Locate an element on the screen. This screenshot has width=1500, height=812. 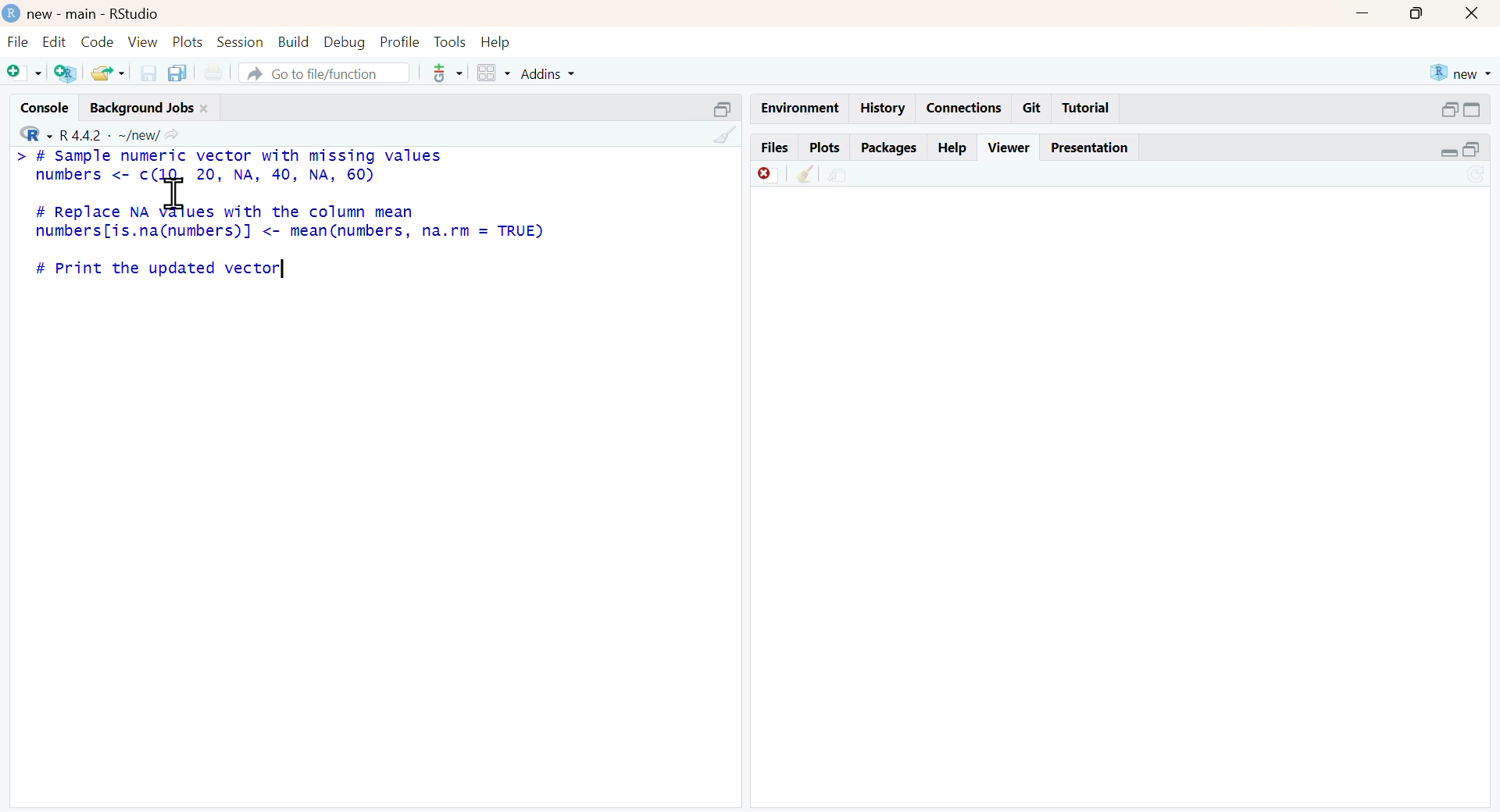
viewer is located at coordinates (1009, 148).